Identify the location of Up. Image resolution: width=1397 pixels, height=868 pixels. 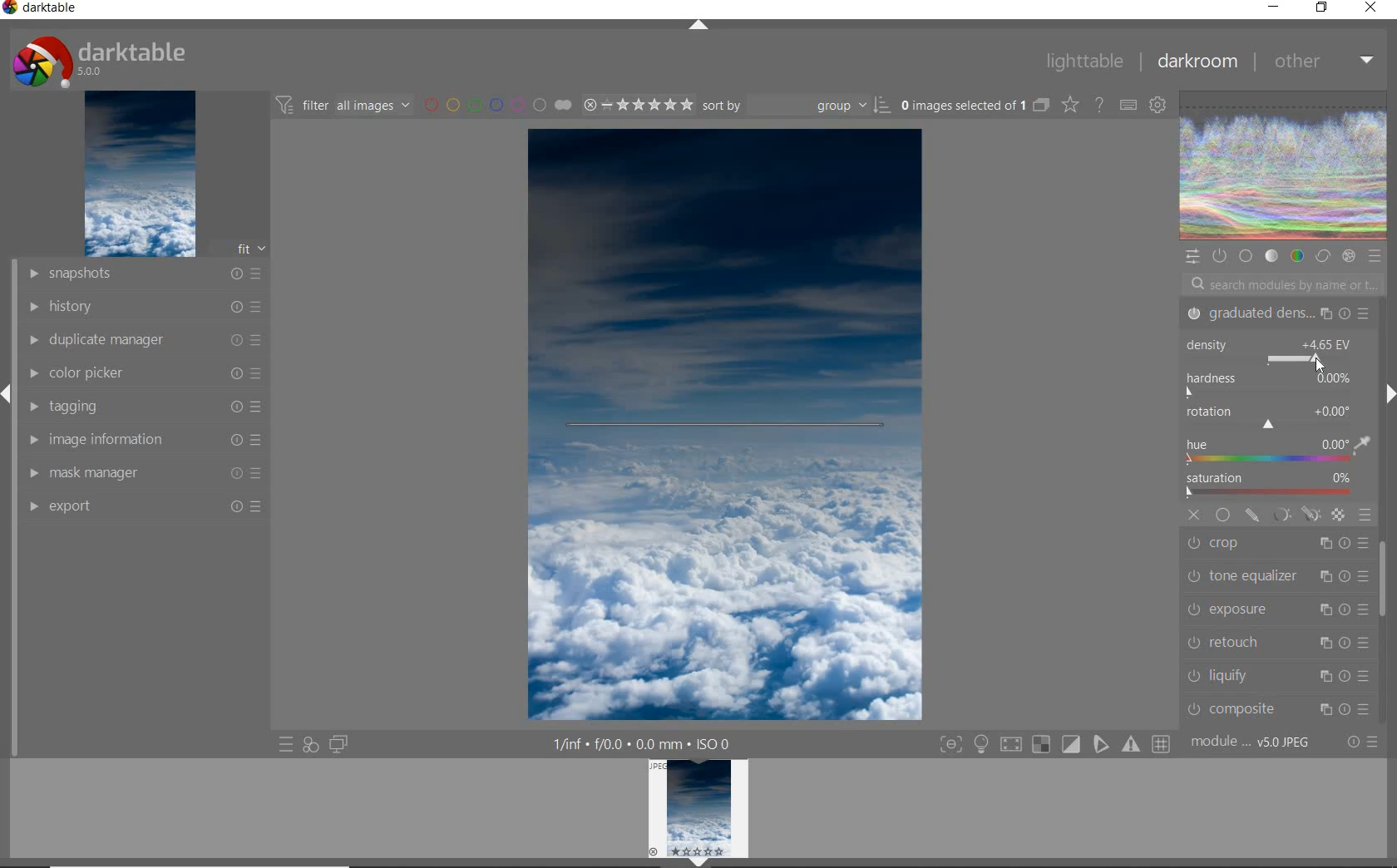
(698, 27).